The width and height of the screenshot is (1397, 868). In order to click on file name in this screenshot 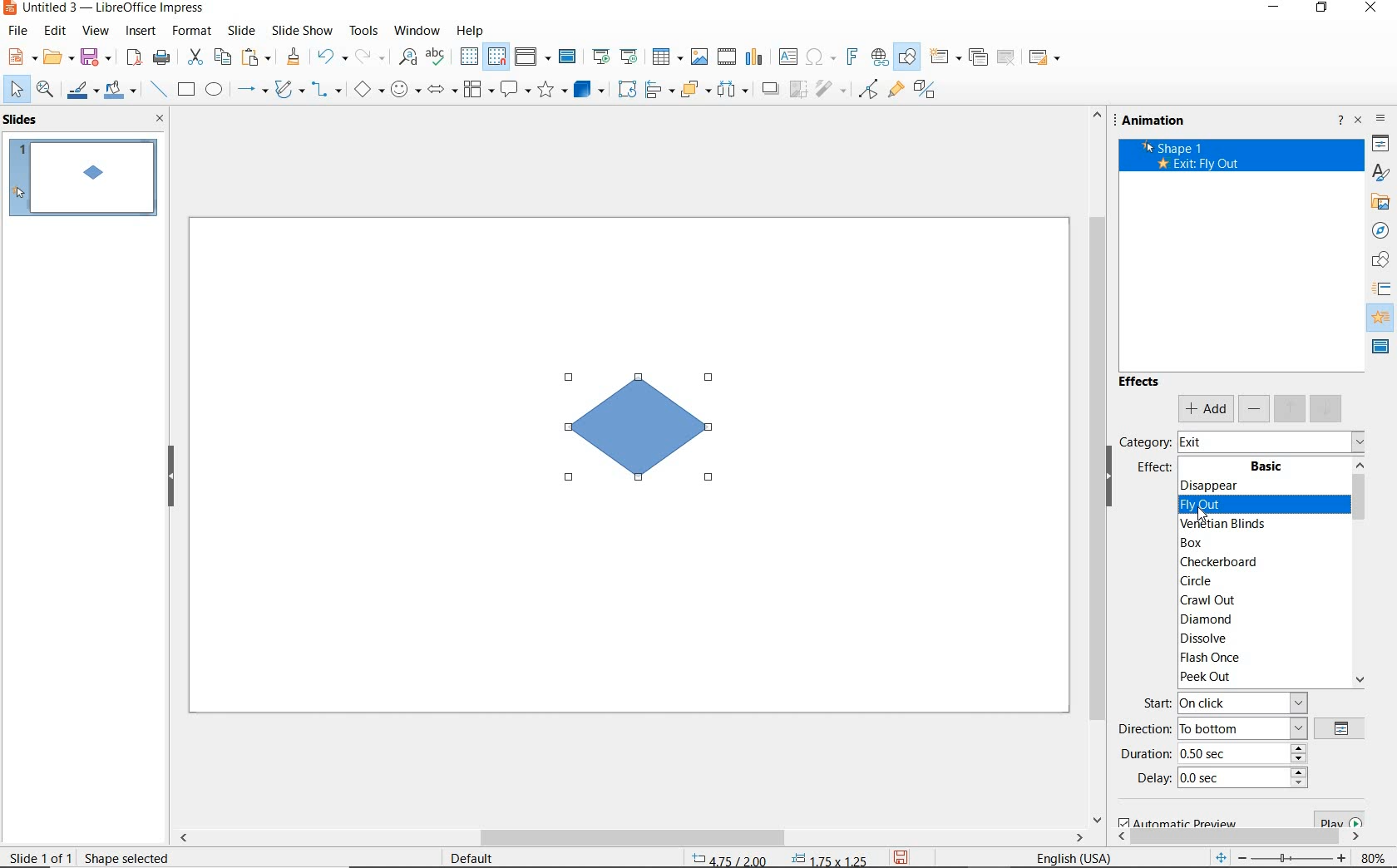, I will do `click(106, 8)`.